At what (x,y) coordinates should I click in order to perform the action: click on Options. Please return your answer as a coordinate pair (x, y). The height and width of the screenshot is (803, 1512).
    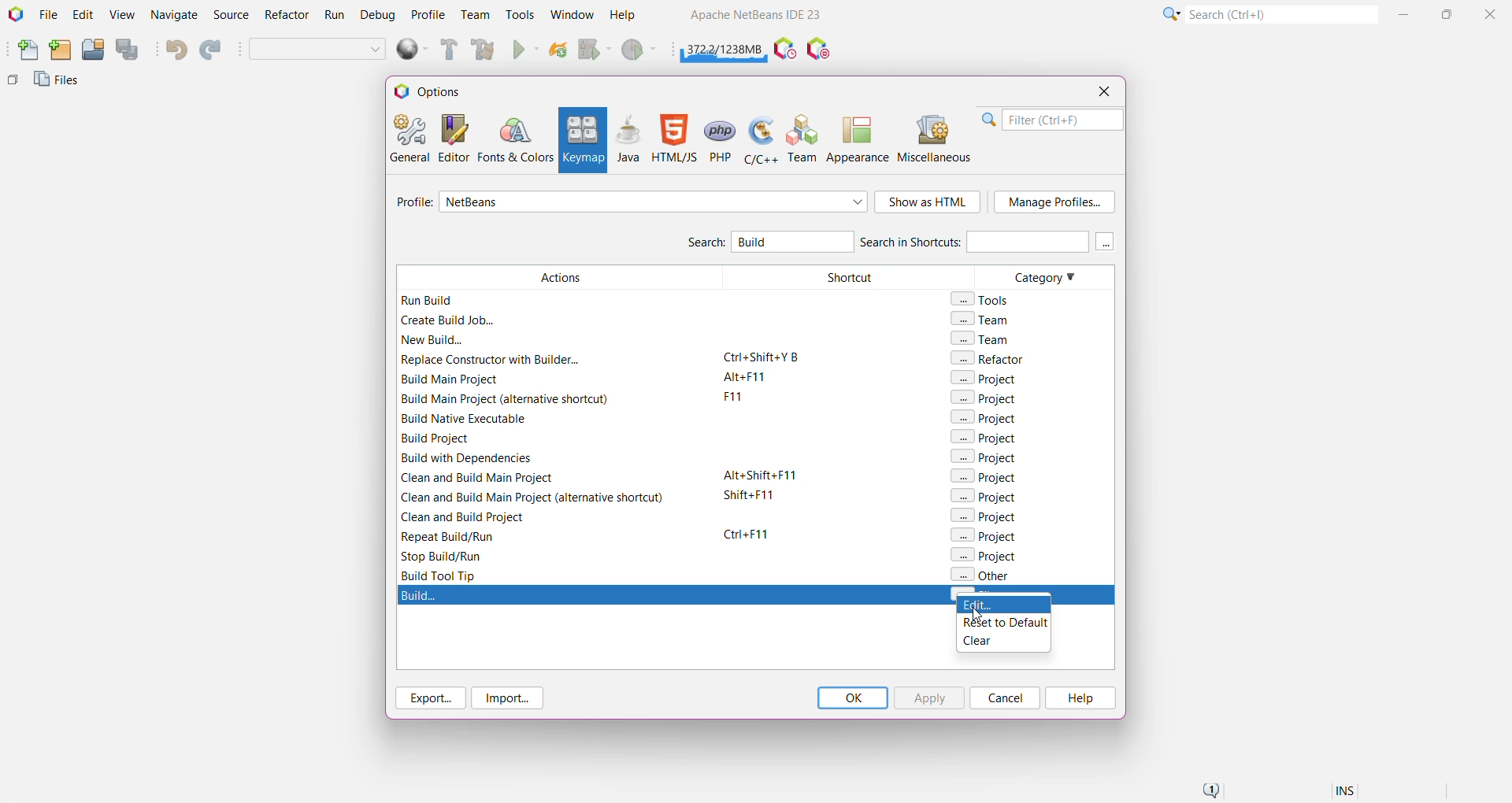
    Looking at the image, I should click on (435, 91).